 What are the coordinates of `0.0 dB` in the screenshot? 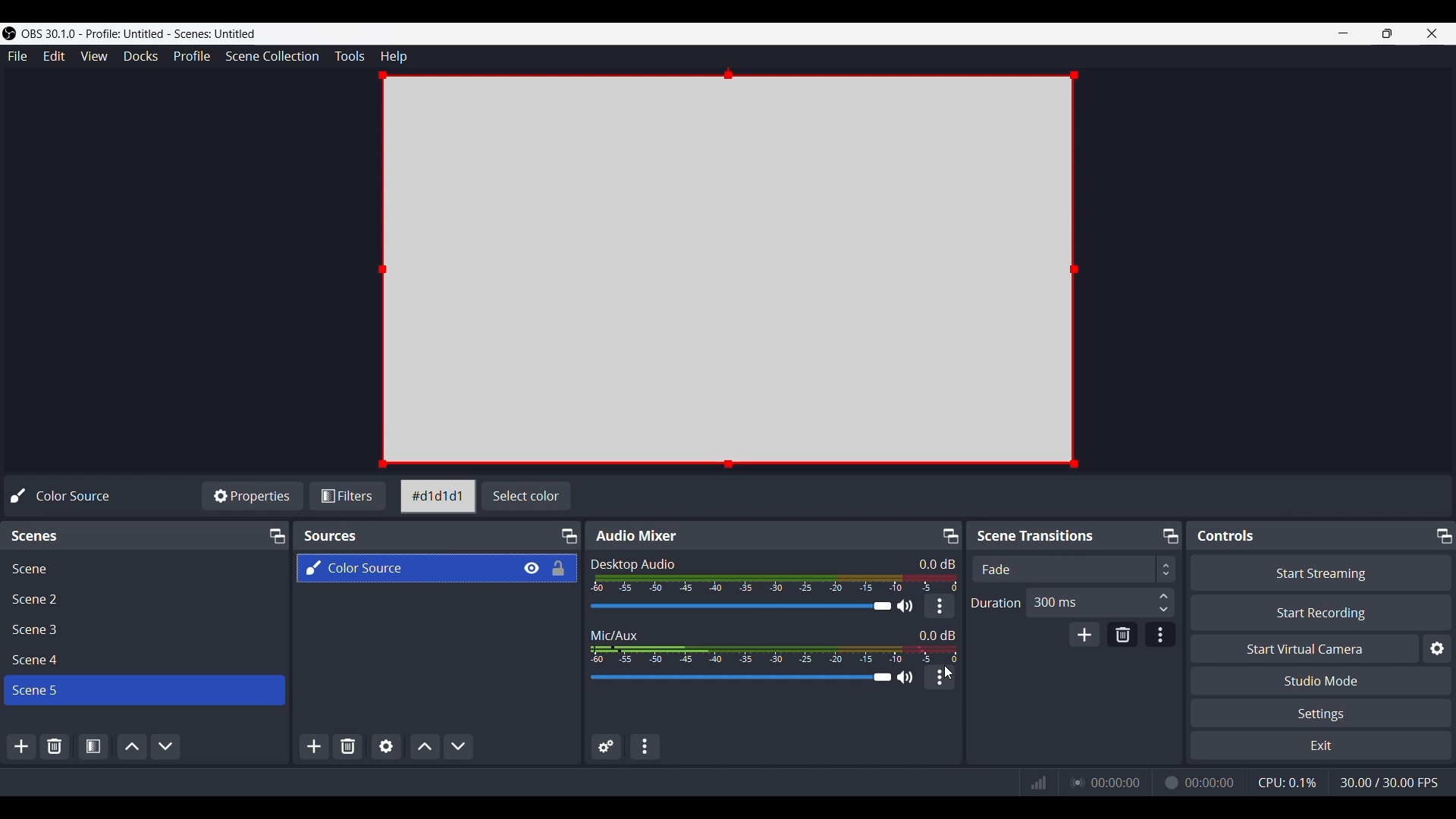 It's located at (937, 563).